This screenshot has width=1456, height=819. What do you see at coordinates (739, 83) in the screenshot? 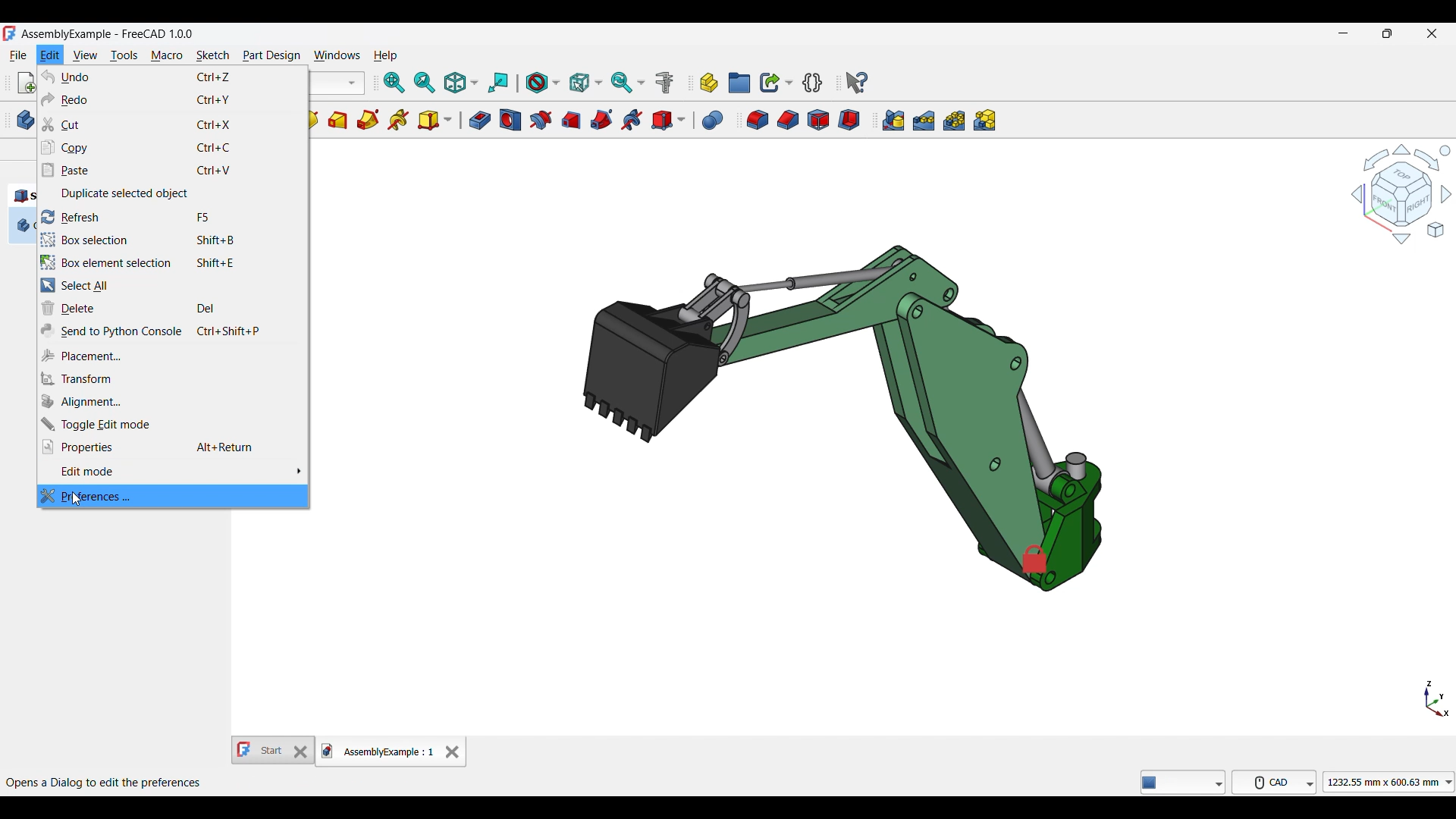
I see `Create group` at bounding box center [739, 83].